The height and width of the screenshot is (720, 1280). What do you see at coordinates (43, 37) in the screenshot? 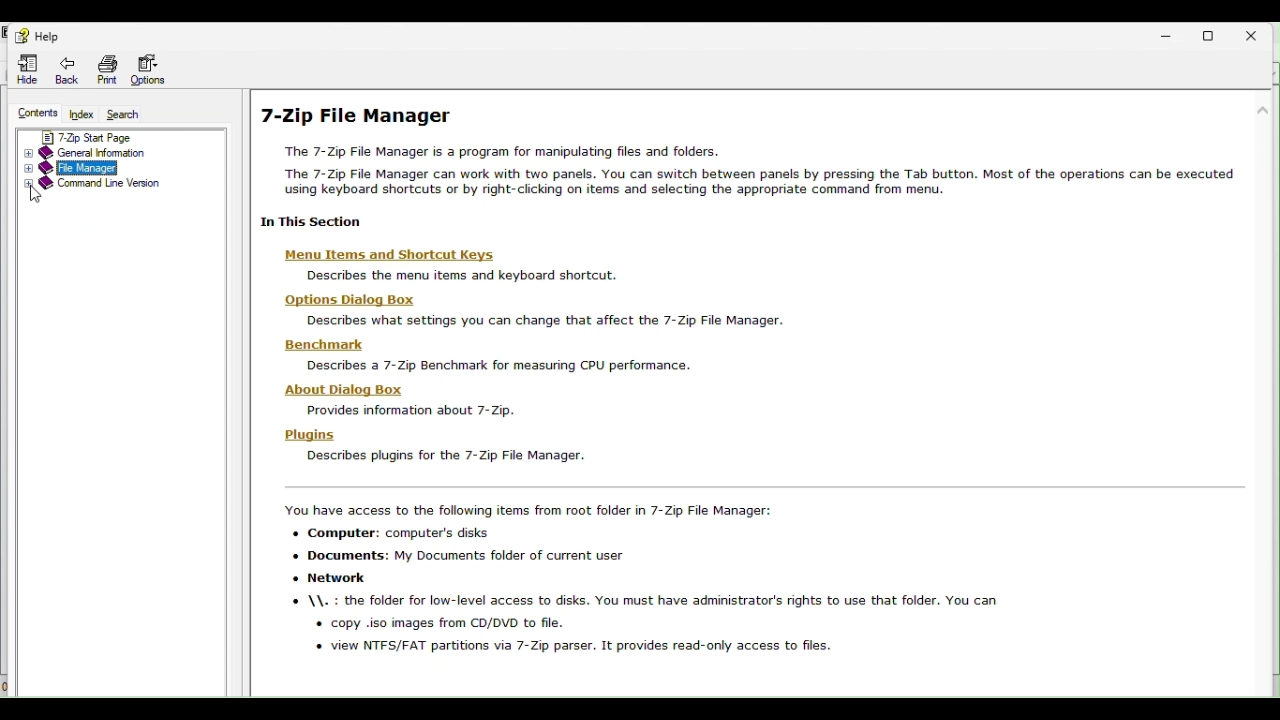
I see `Help ` at bounding box center [43, 37].